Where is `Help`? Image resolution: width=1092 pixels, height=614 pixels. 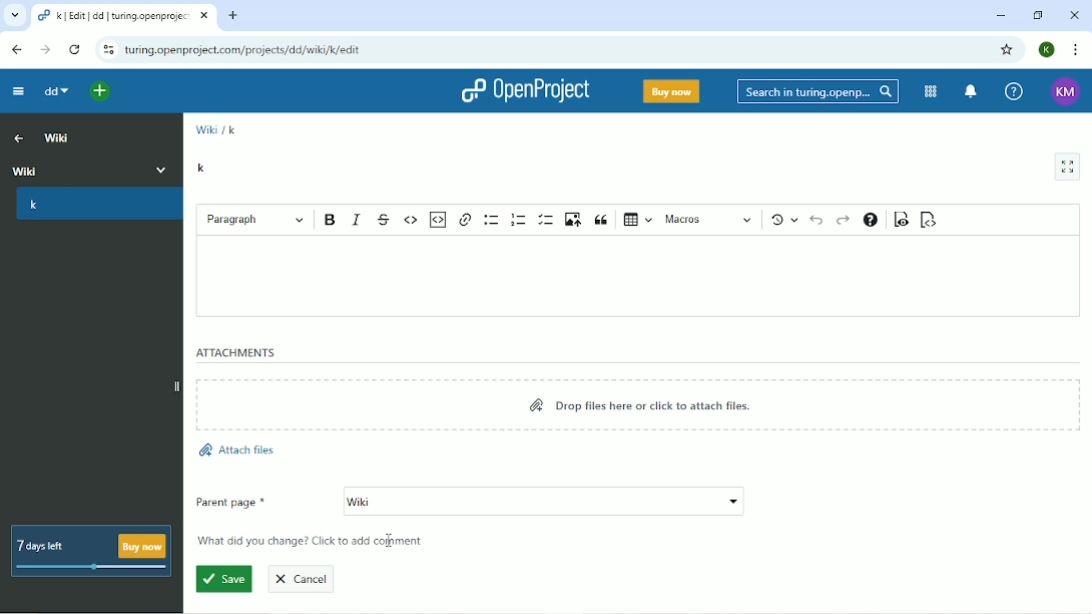
Help is located at coordinates (1012, 90).